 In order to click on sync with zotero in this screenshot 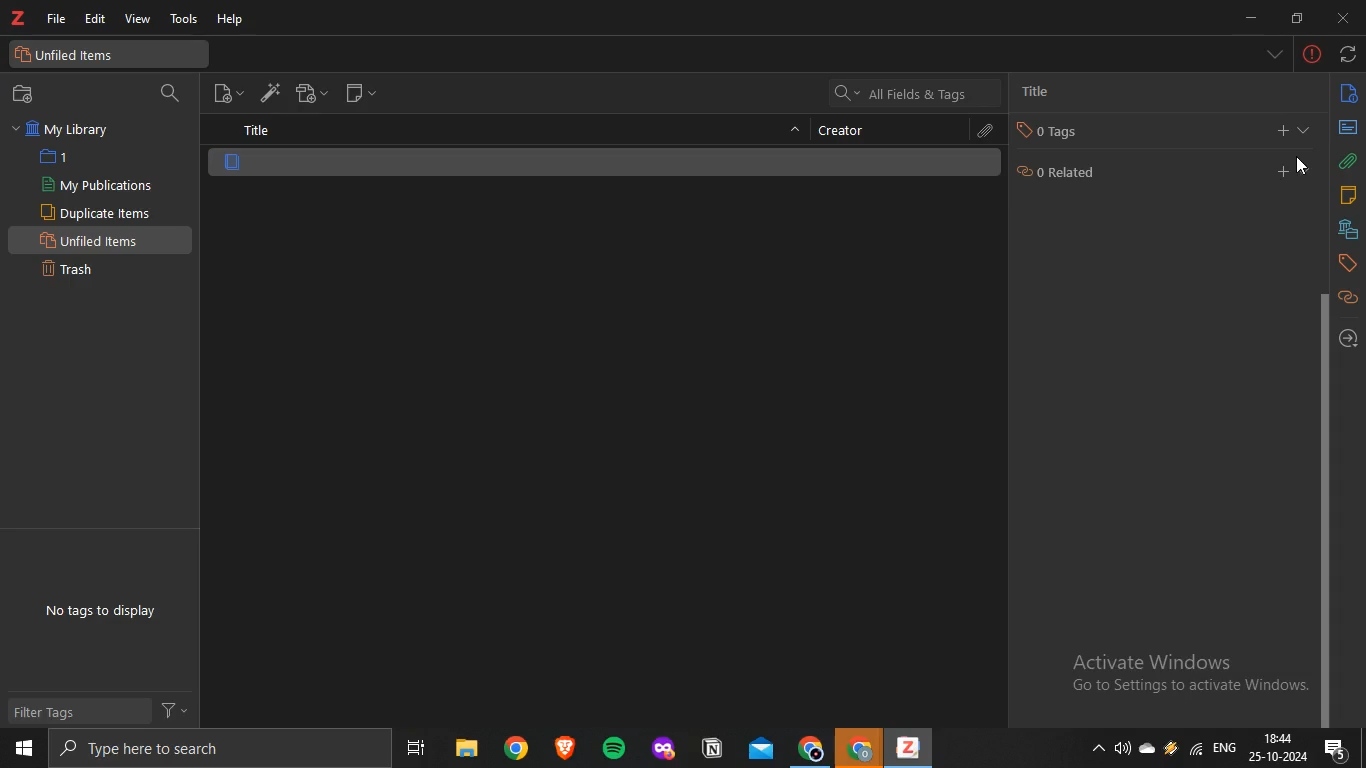, I will do `click(1348, 55)`.